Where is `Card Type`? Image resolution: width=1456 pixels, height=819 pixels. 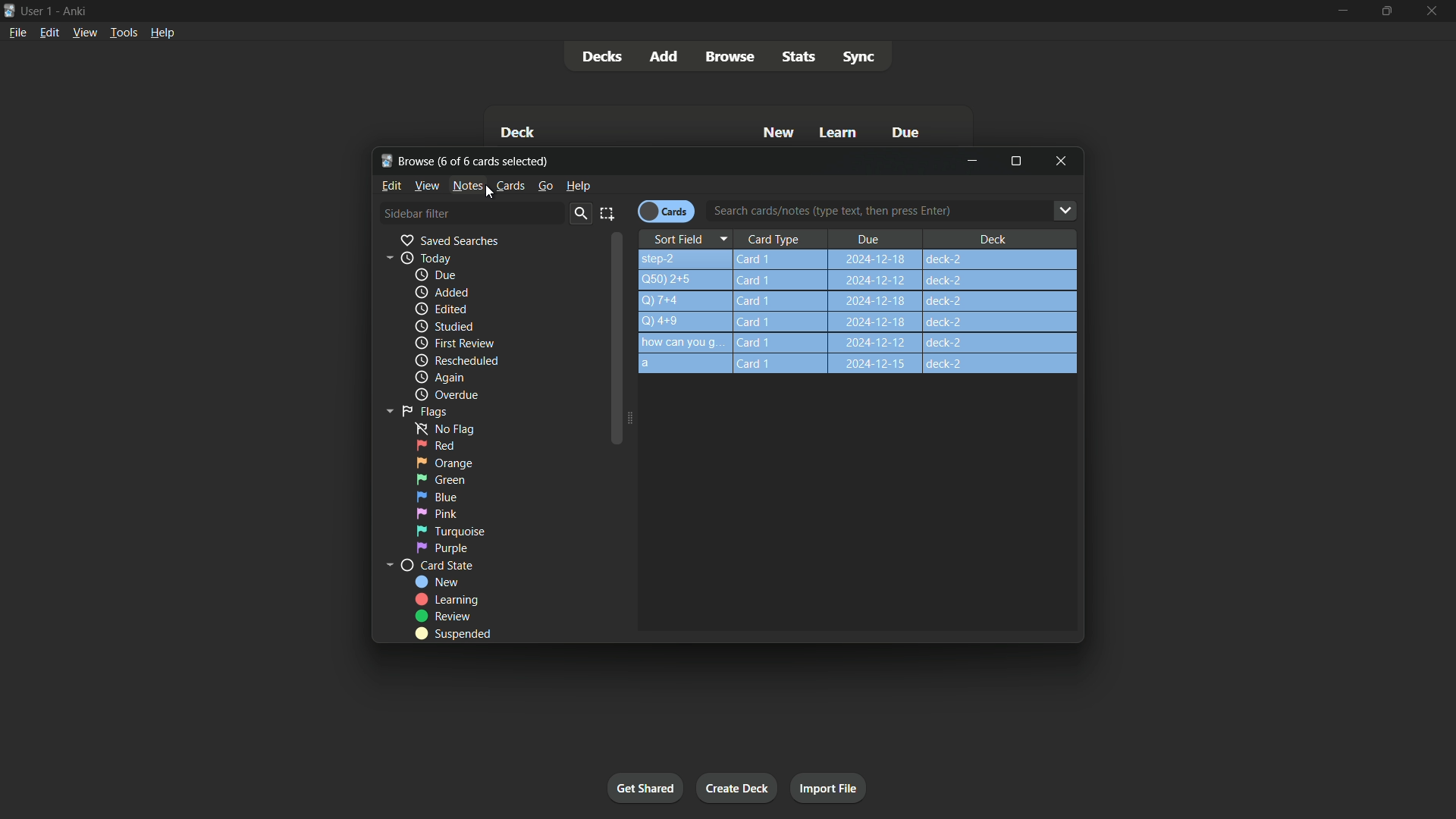 Card Type is located at coordinates (781, 239).